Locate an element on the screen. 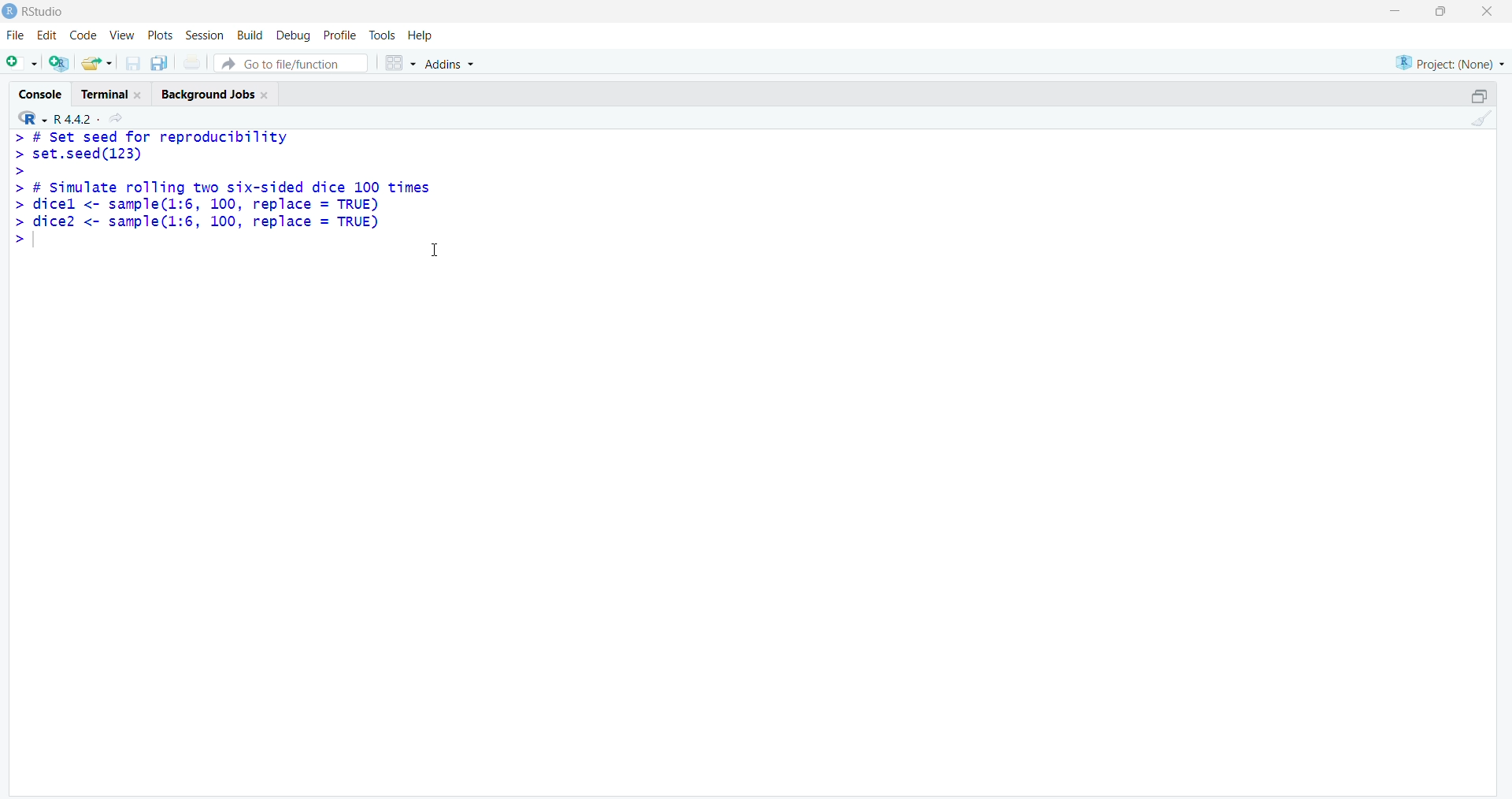 This screenshot has height=799, width=1512. copy is located at coordinates (159, 62).